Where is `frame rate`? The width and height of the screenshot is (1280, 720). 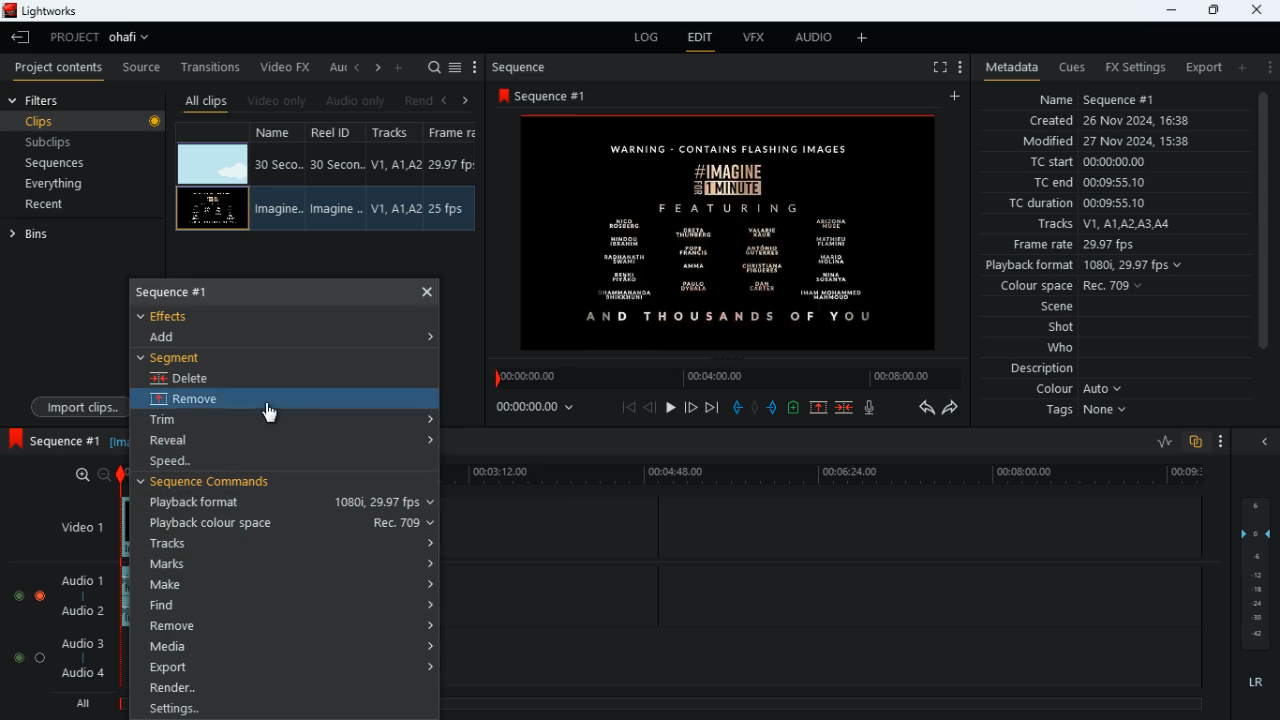 frame rate is located at coordinates (1074, 246).